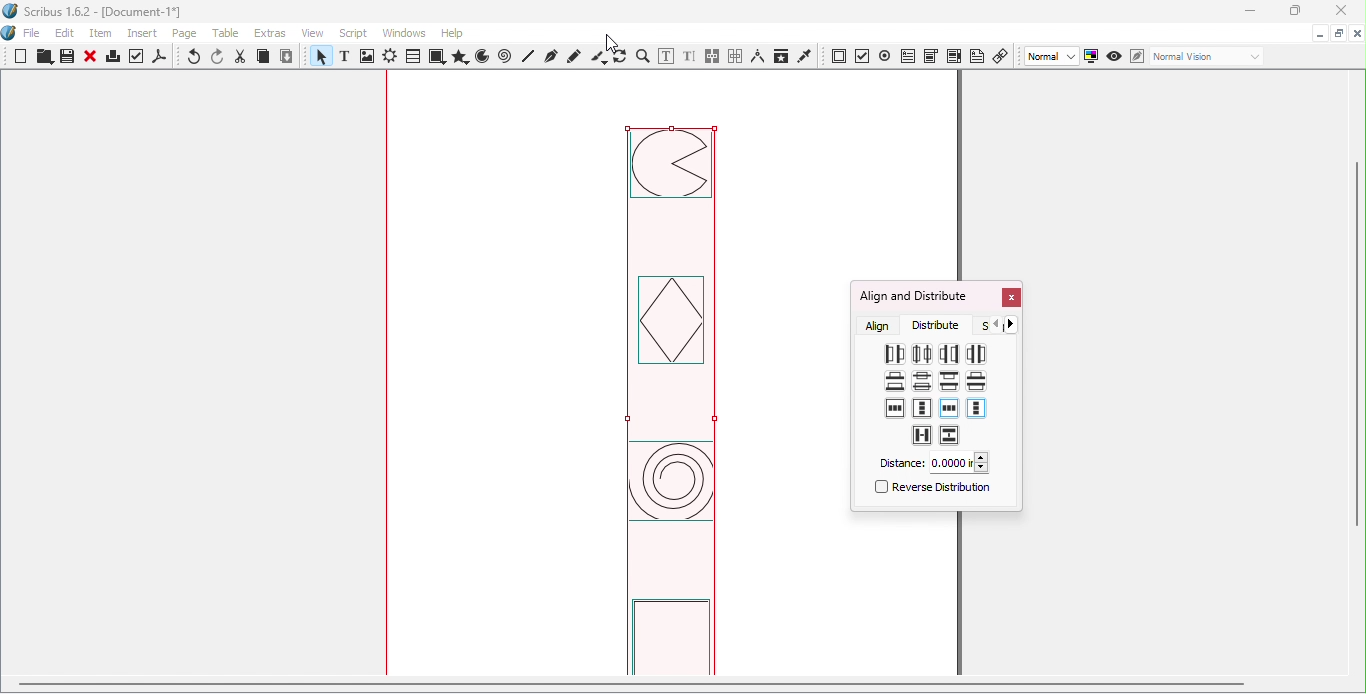  Describe the element at coordinates (671, 400) in the screenshot. I see `image aligned` at that location.